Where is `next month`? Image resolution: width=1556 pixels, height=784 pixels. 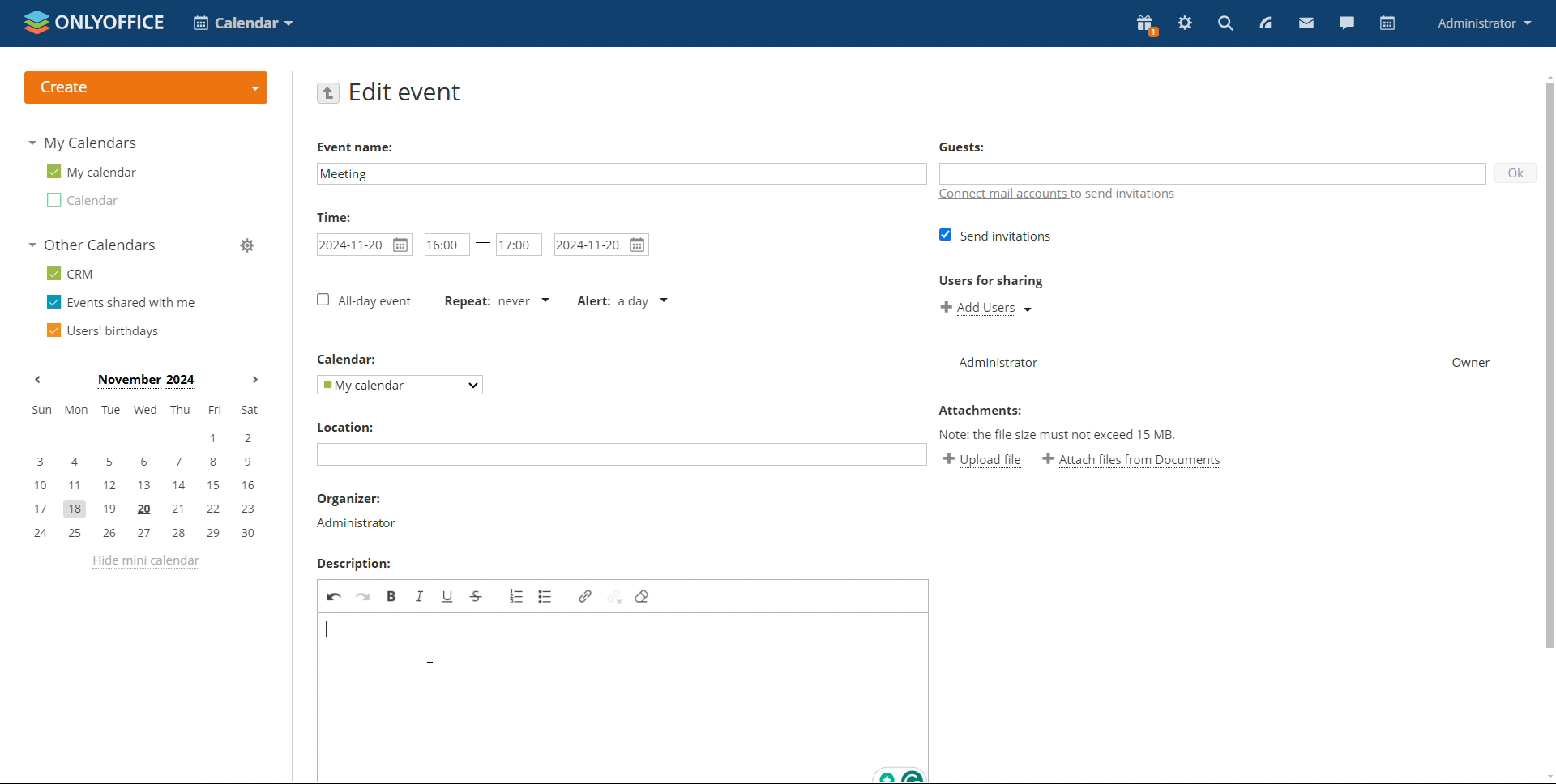
next month is located at coordinates (255, 379).